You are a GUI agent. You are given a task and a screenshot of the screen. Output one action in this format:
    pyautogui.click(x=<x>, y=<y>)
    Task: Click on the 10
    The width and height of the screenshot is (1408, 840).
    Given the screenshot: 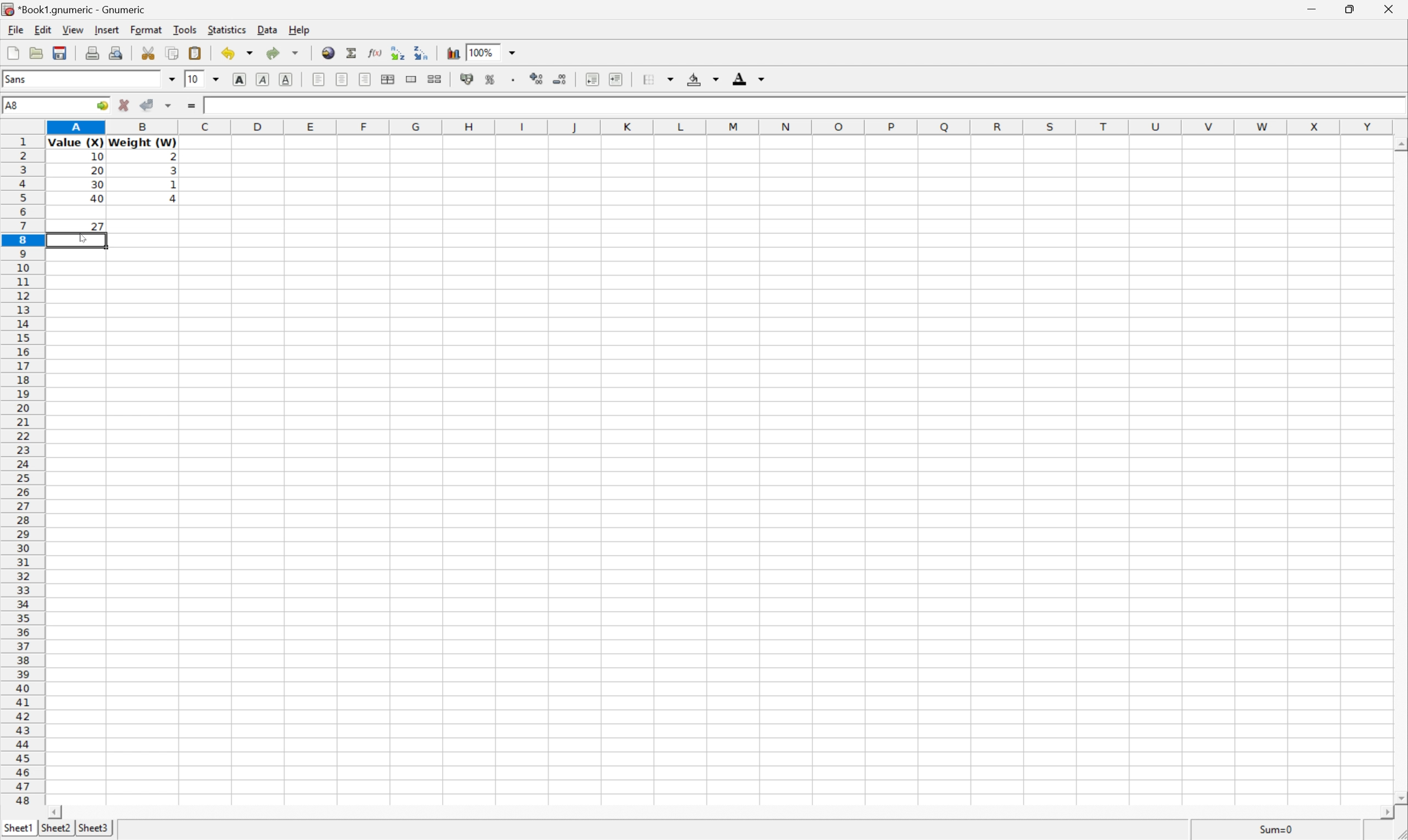 What is the action you would take?
    pyautogui.click(x=193, y=79)
    